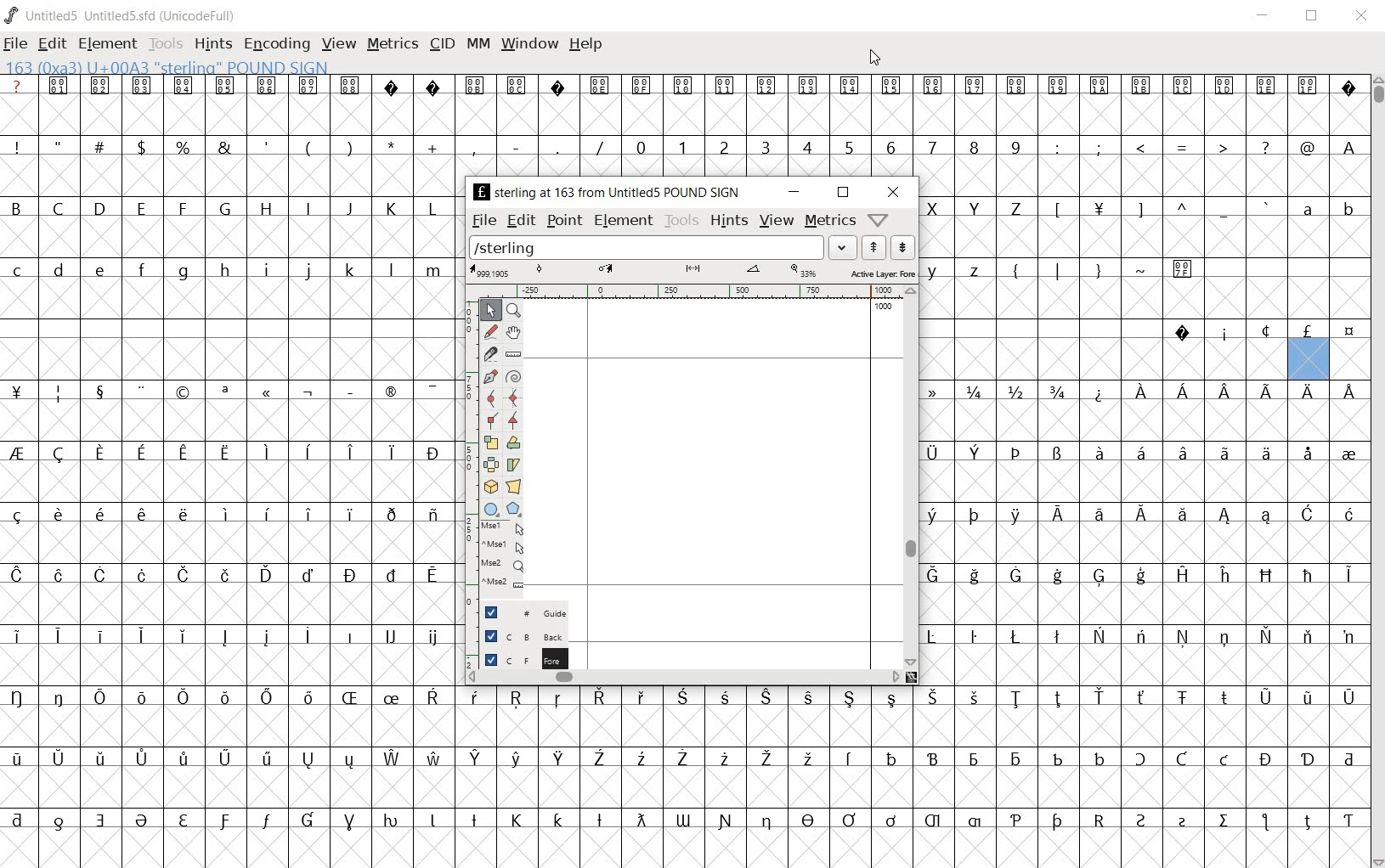 Image resolution: width=1385 pixels, height=868 pixels. Describe the element at coordinates (1097, 268) in the screenshot. I see `}` at that location.